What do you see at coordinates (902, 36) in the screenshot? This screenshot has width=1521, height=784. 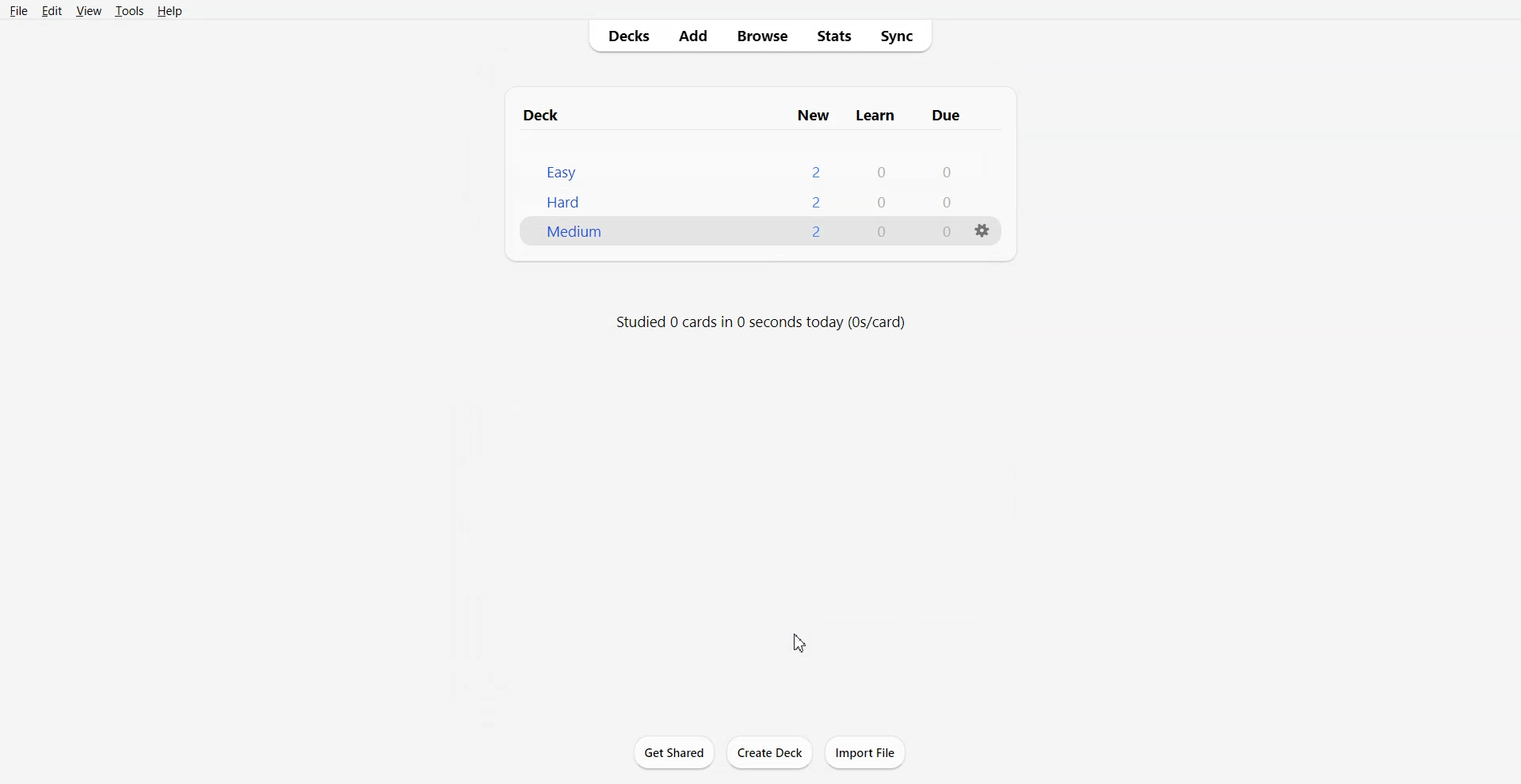 I see `Sync` at bounding box center [902, 36].